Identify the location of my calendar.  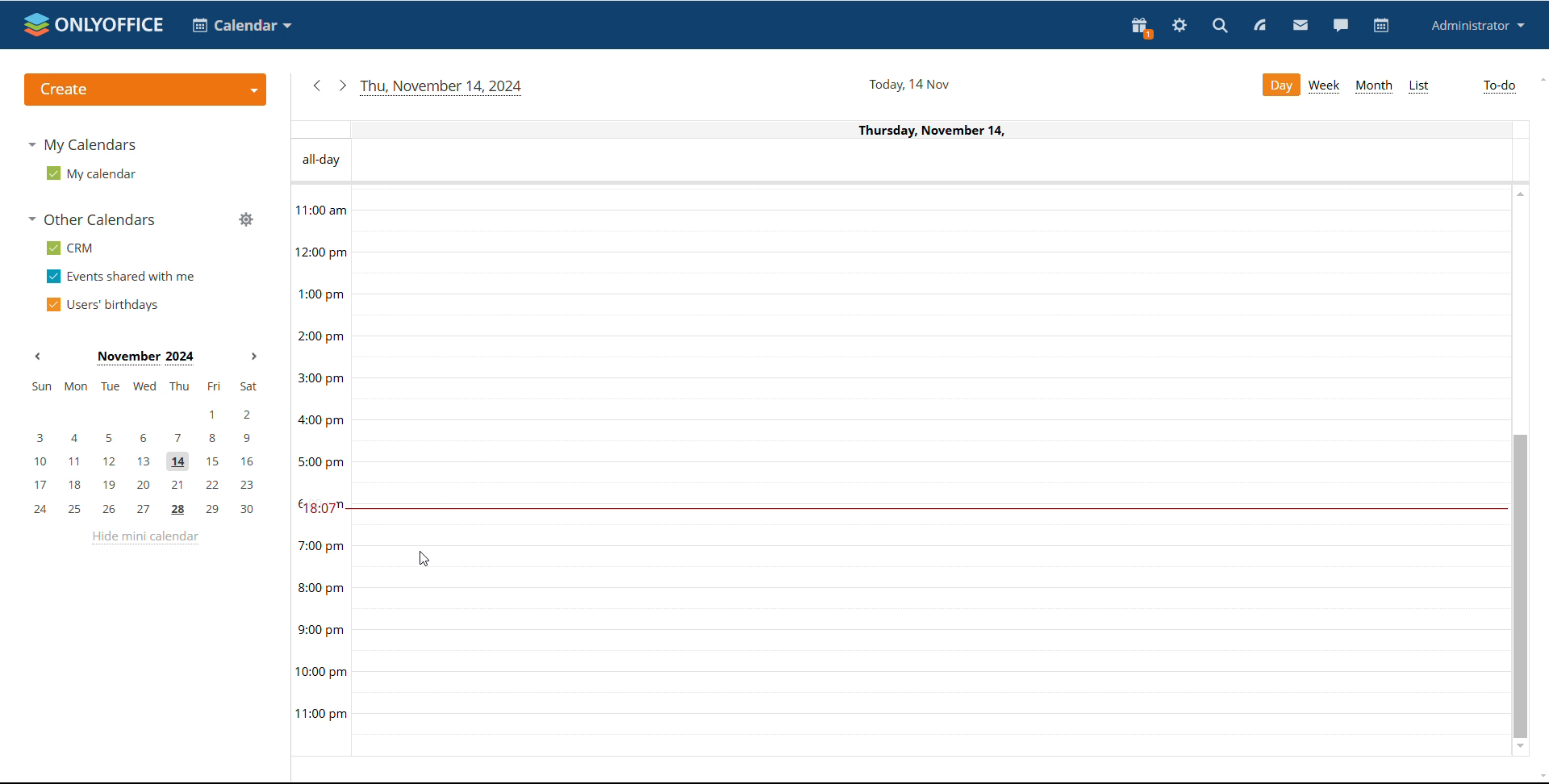
(90, 174).